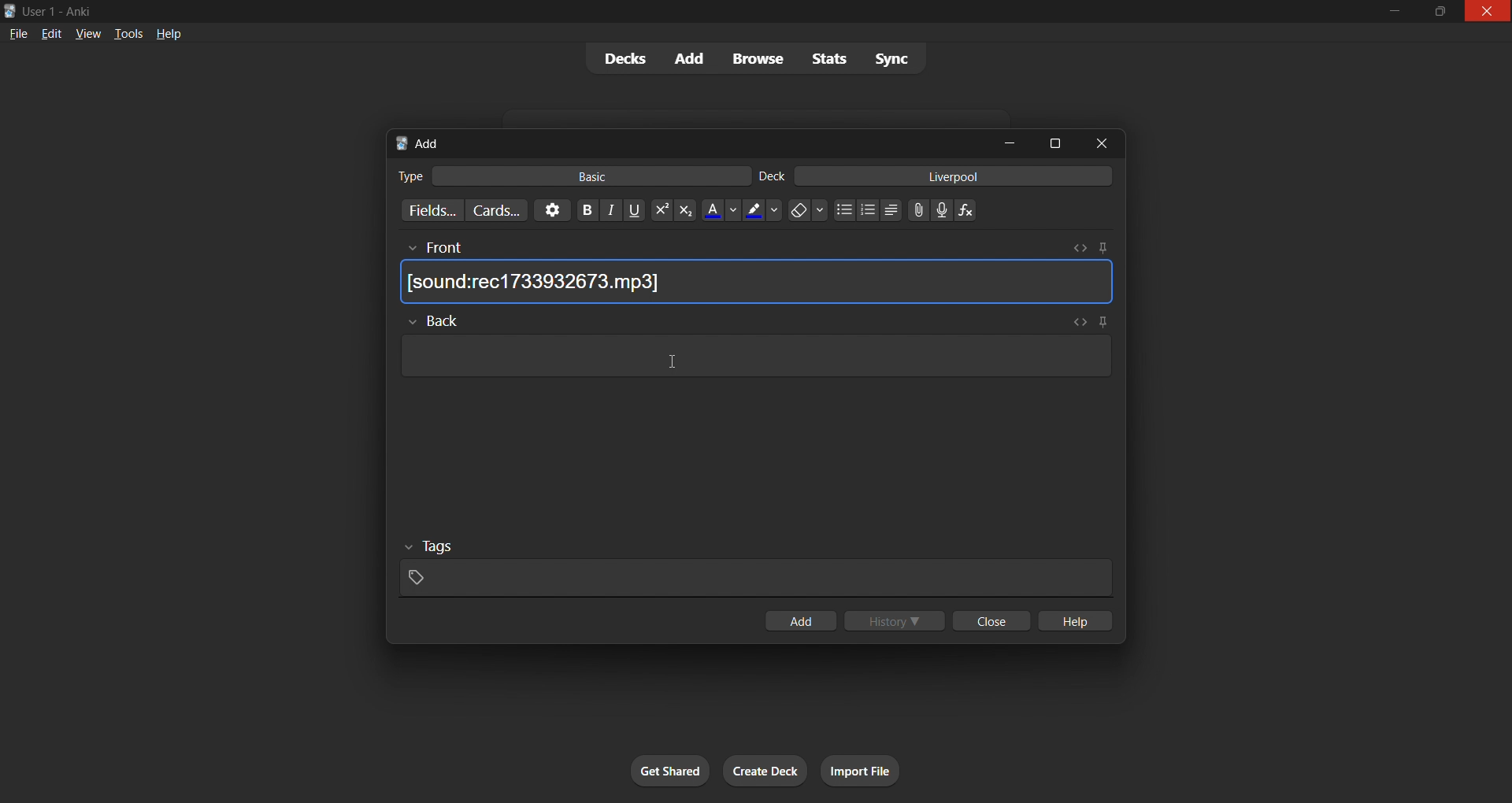 This screenshot has height=803, width=1512. What do you see at coordinates (754, 245) in the screenshot?
I see `front input field` at bounding box center [754, 245].